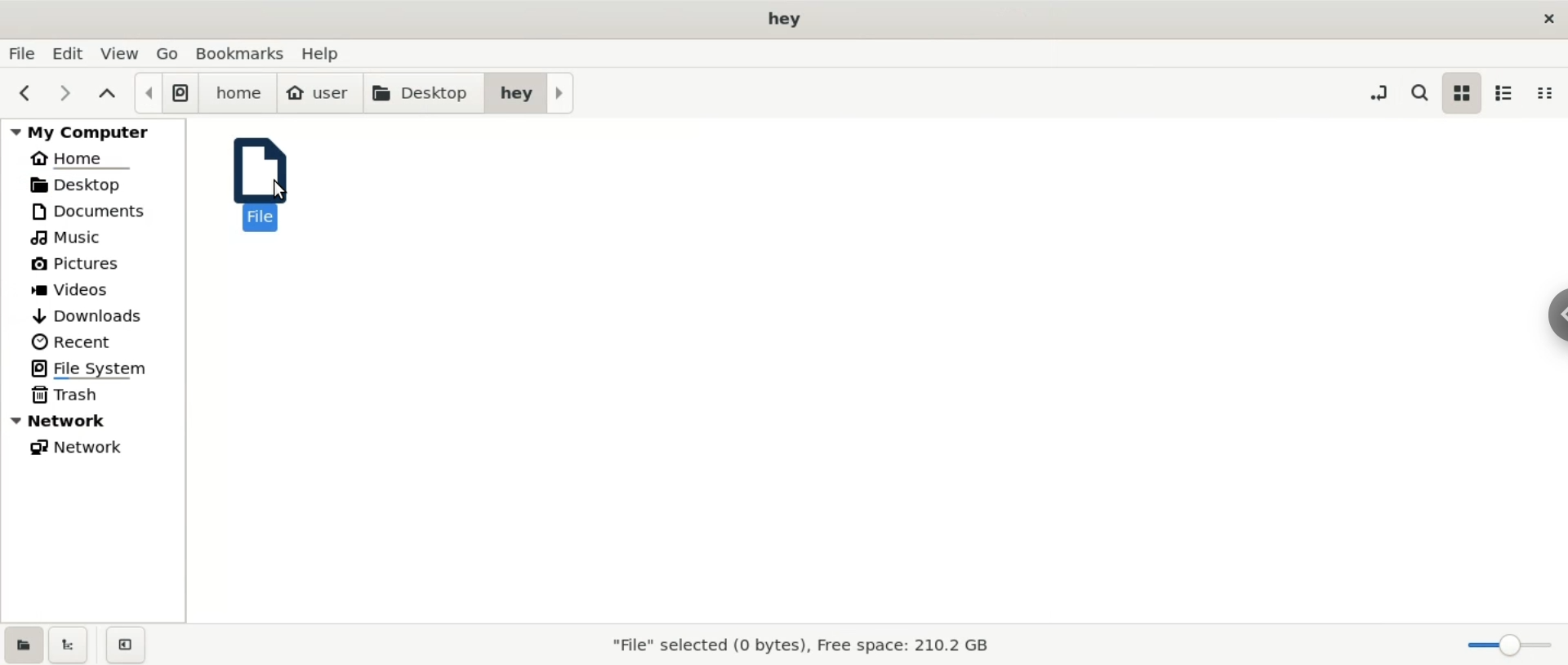 The height and width of the screenshot is (665, 1568). Describe the element at coordinates (238, 94) in the screenshot. I see `home` at that location.